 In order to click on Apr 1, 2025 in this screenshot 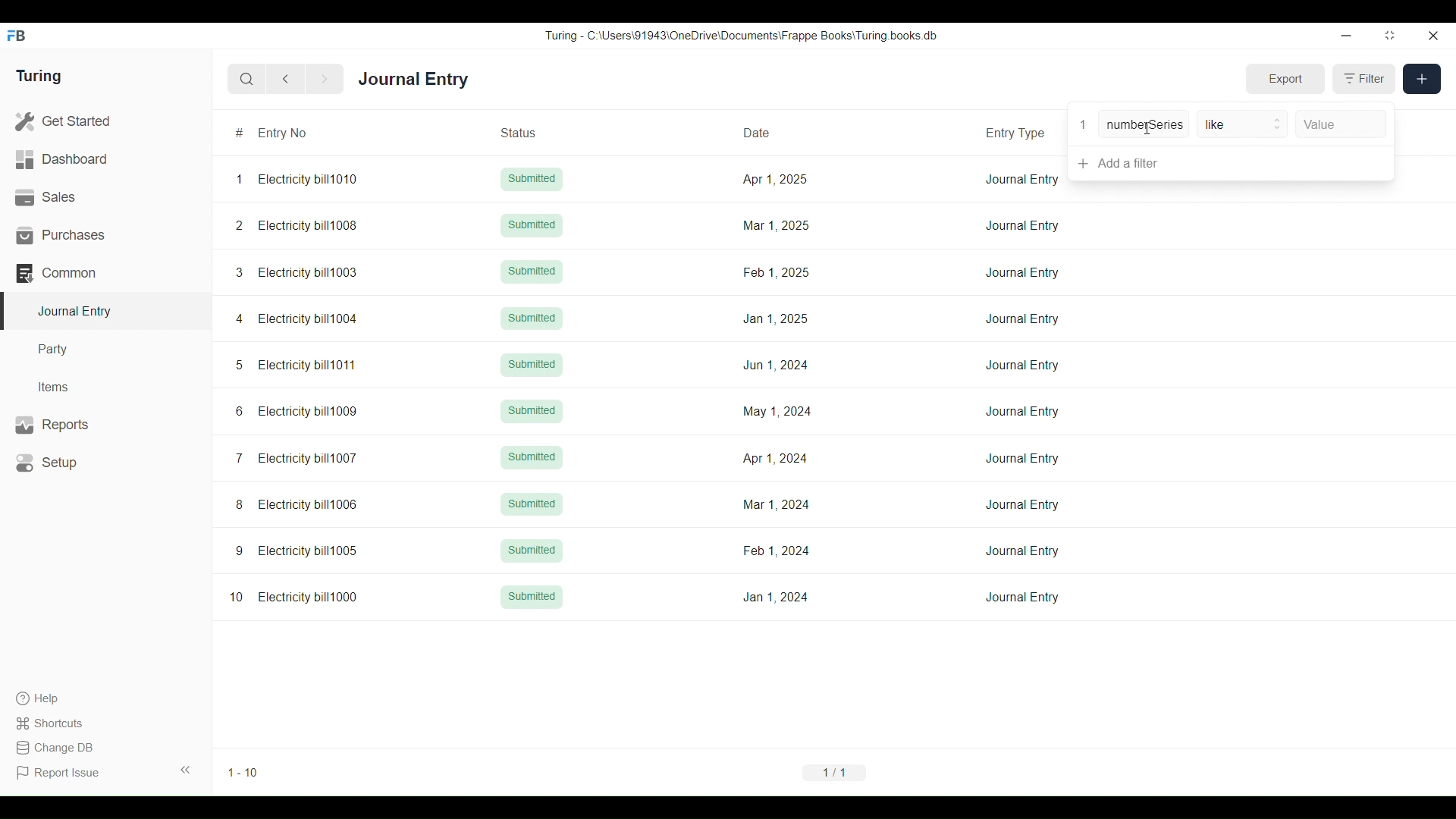, I will do `click(774, 178)`.